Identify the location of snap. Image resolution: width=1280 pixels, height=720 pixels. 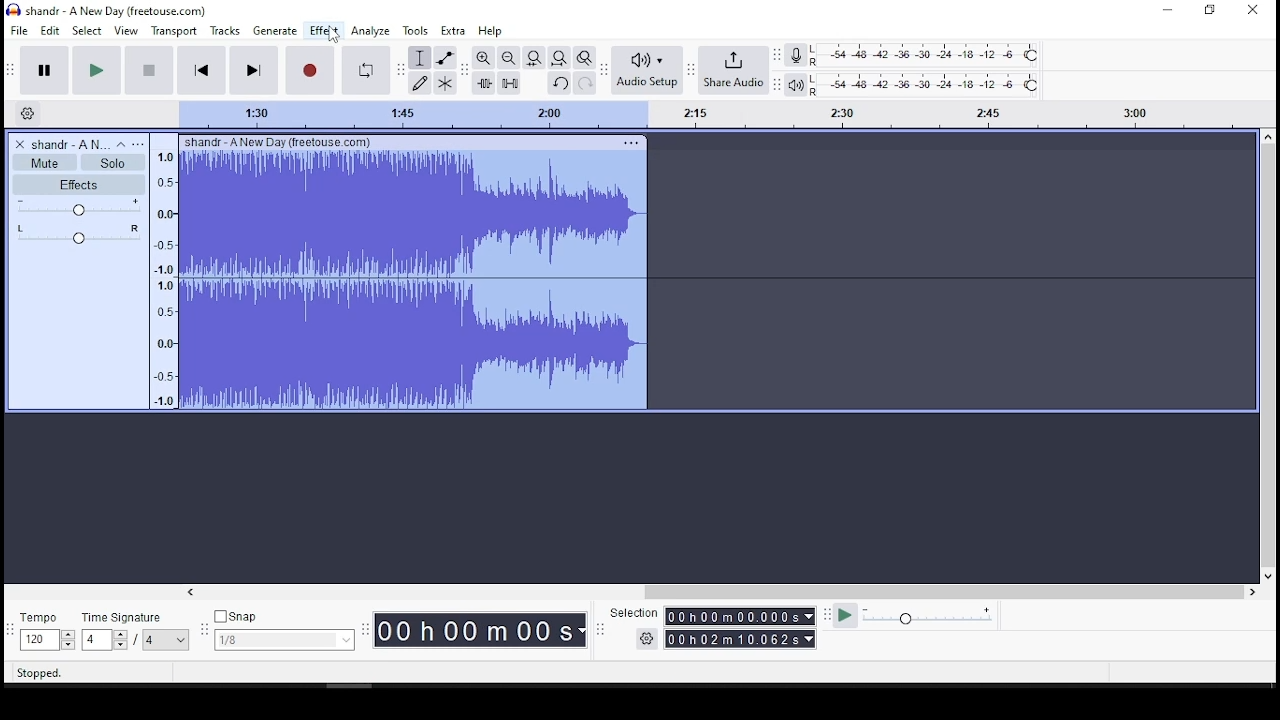
(283, 631).